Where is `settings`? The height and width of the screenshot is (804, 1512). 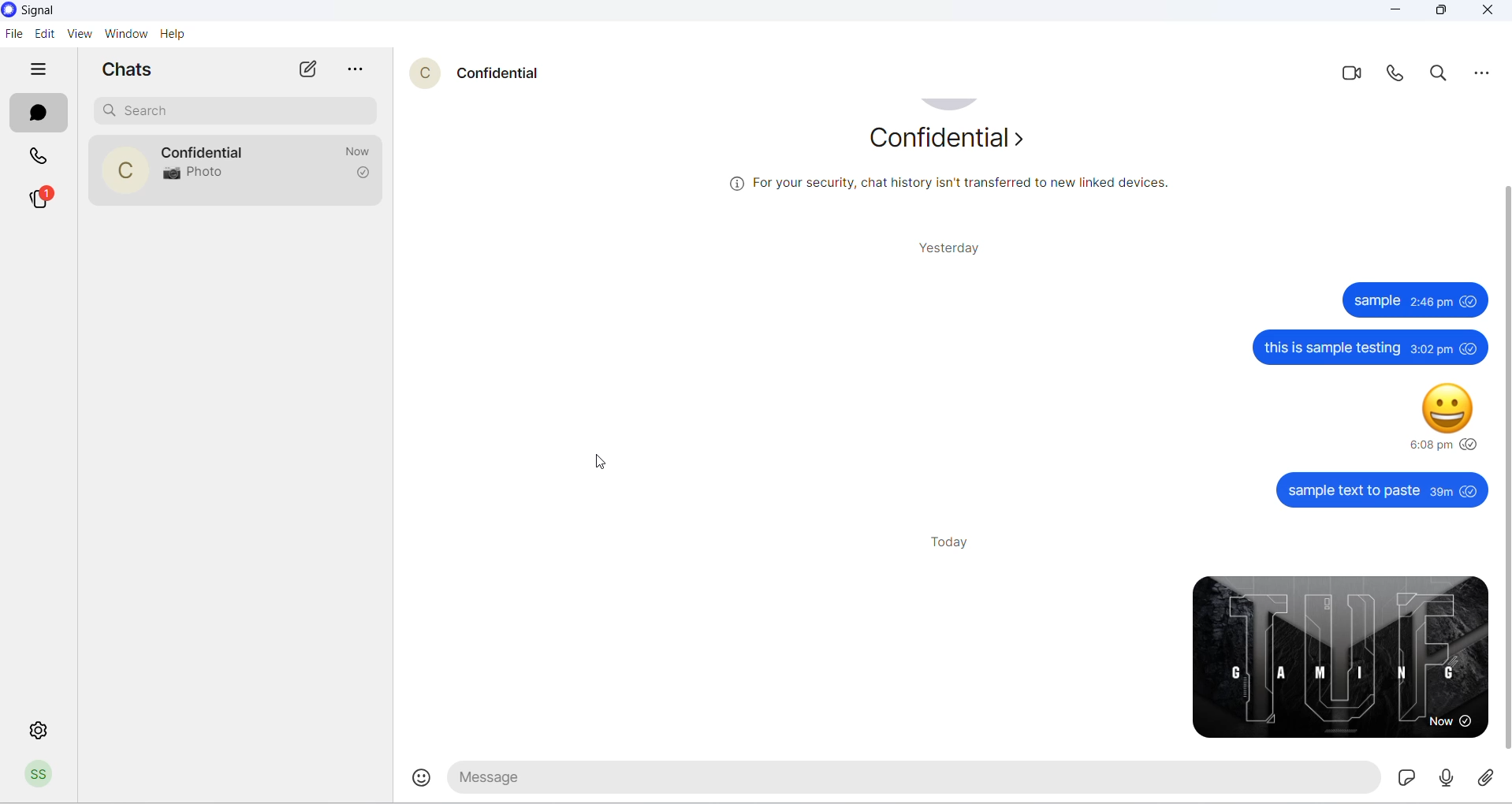
settings is located at coordinates (35, 728).